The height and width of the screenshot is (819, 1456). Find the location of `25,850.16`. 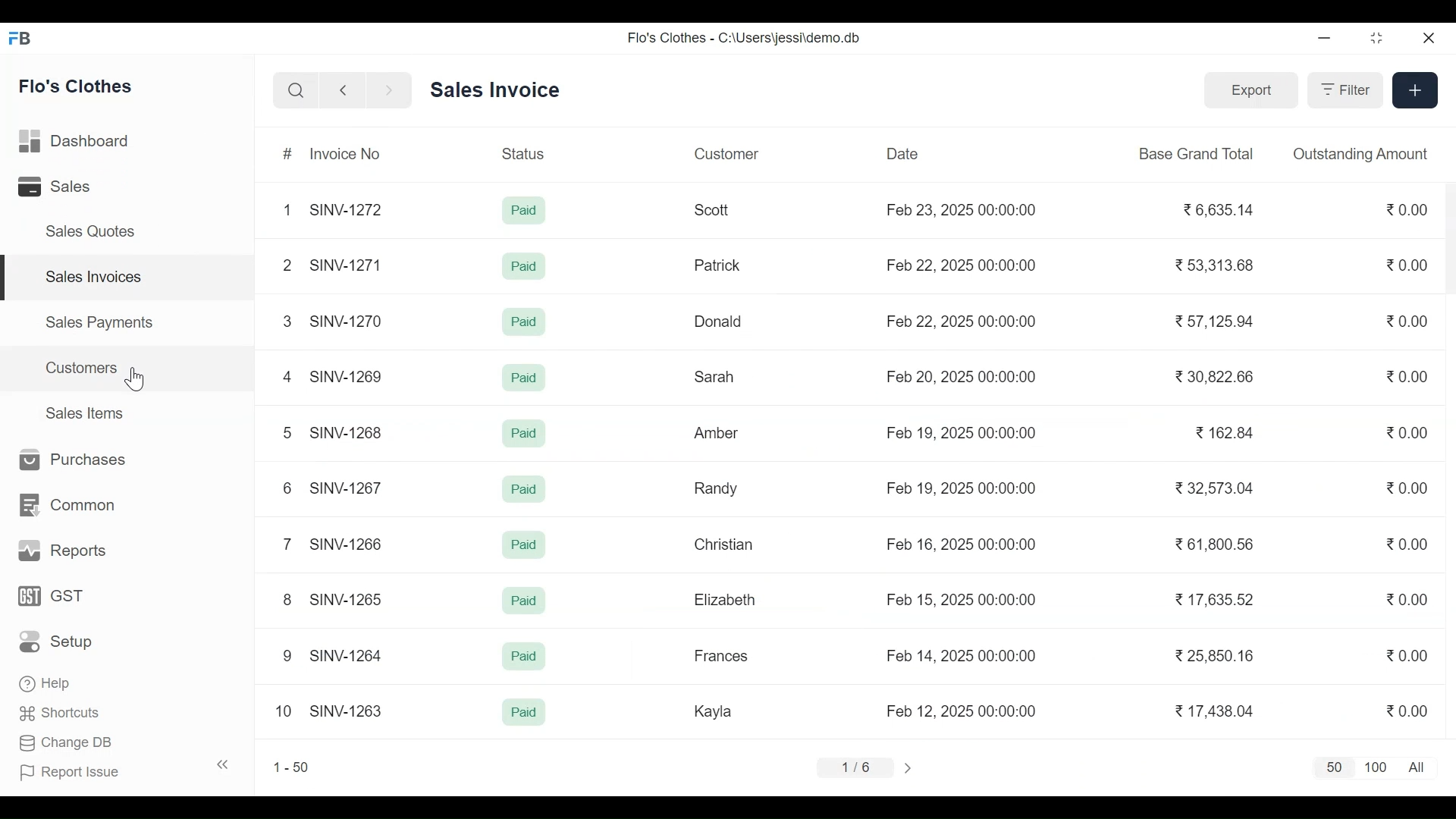

25,850.16 is located at coordinates (1213, 655).